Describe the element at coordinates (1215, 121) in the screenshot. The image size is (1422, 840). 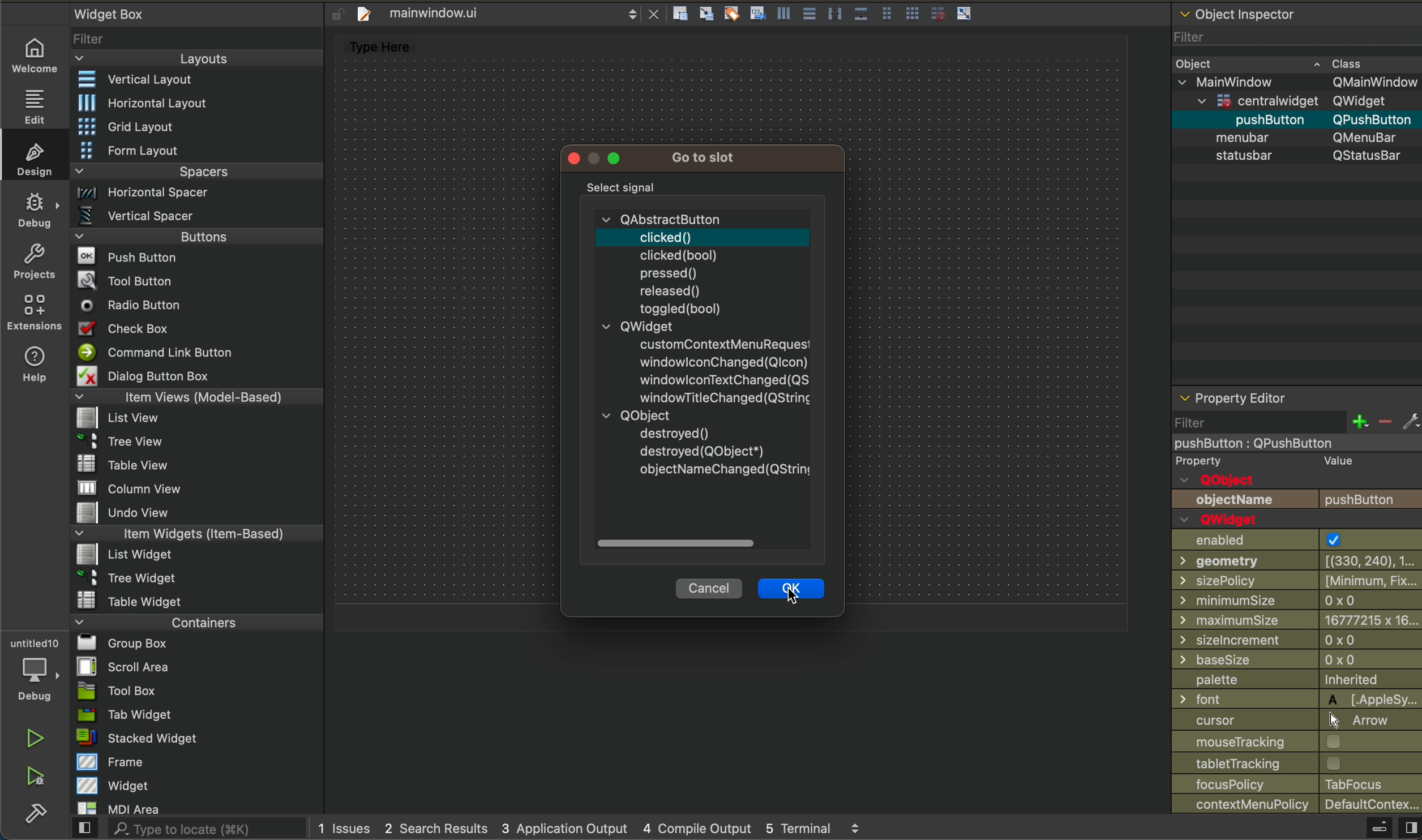
I see `push button` at that location.